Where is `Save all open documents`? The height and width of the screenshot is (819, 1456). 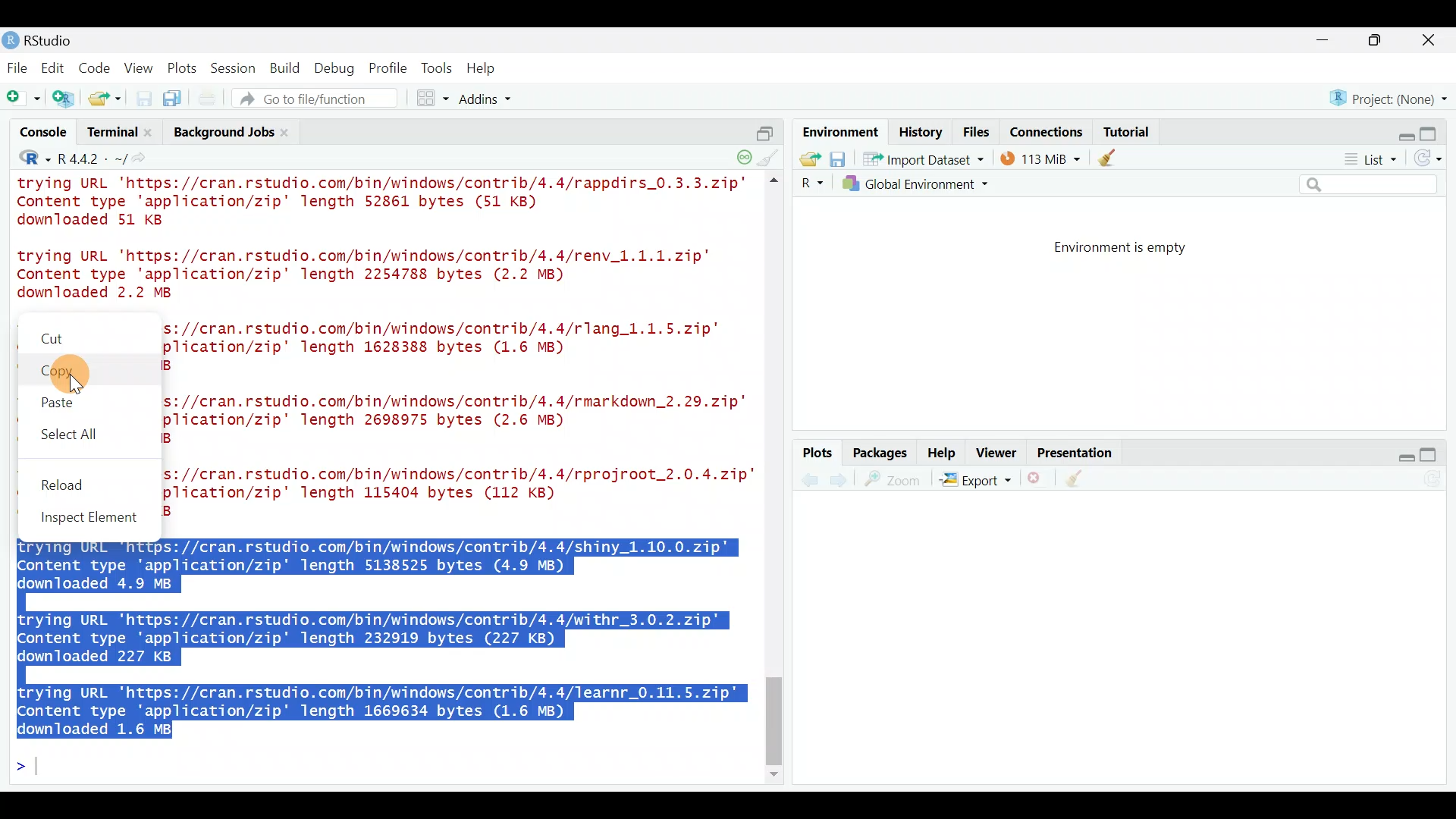 Save all open documents is located at coordinates (174, 99).